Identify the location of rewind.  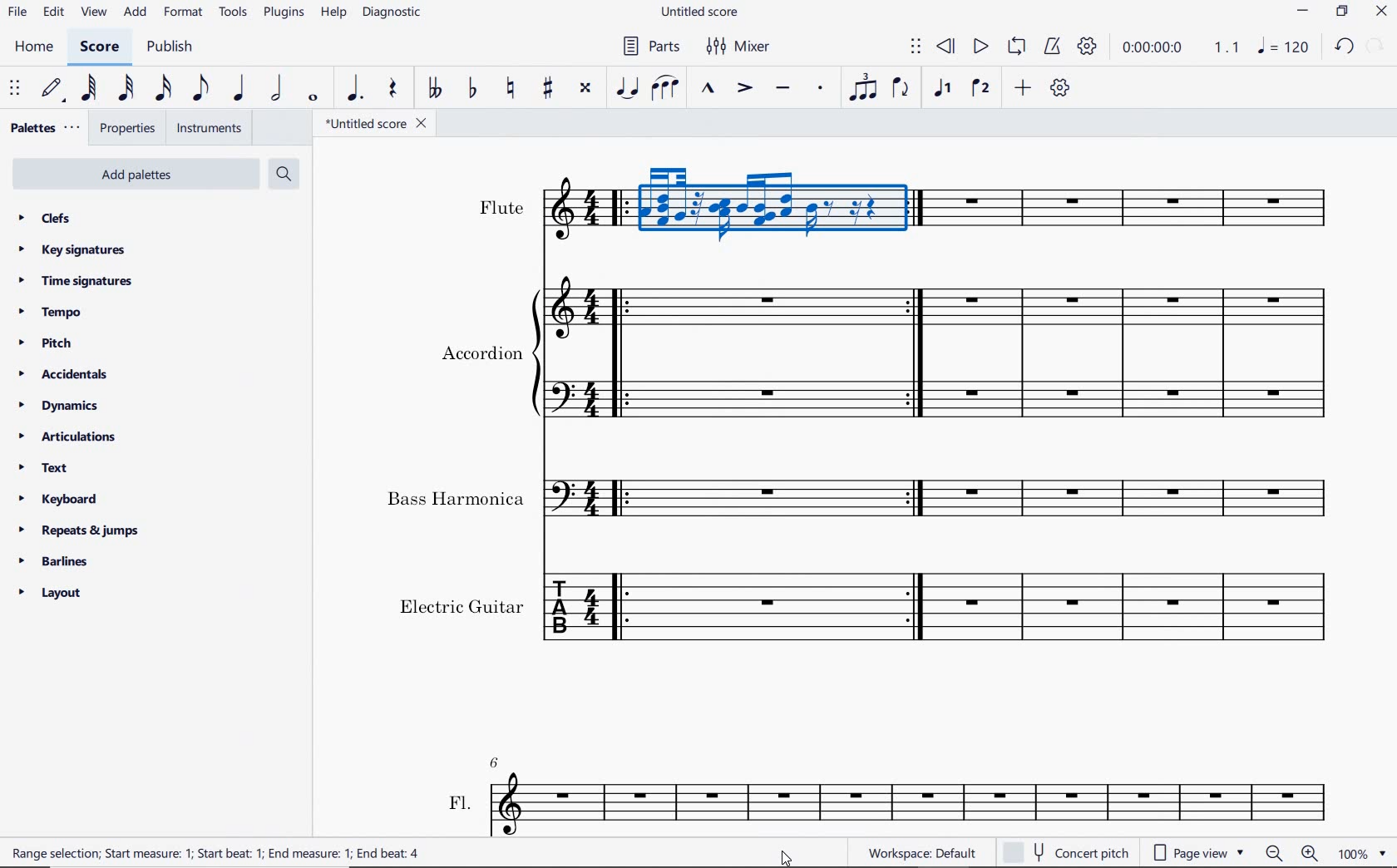
(947, 47).